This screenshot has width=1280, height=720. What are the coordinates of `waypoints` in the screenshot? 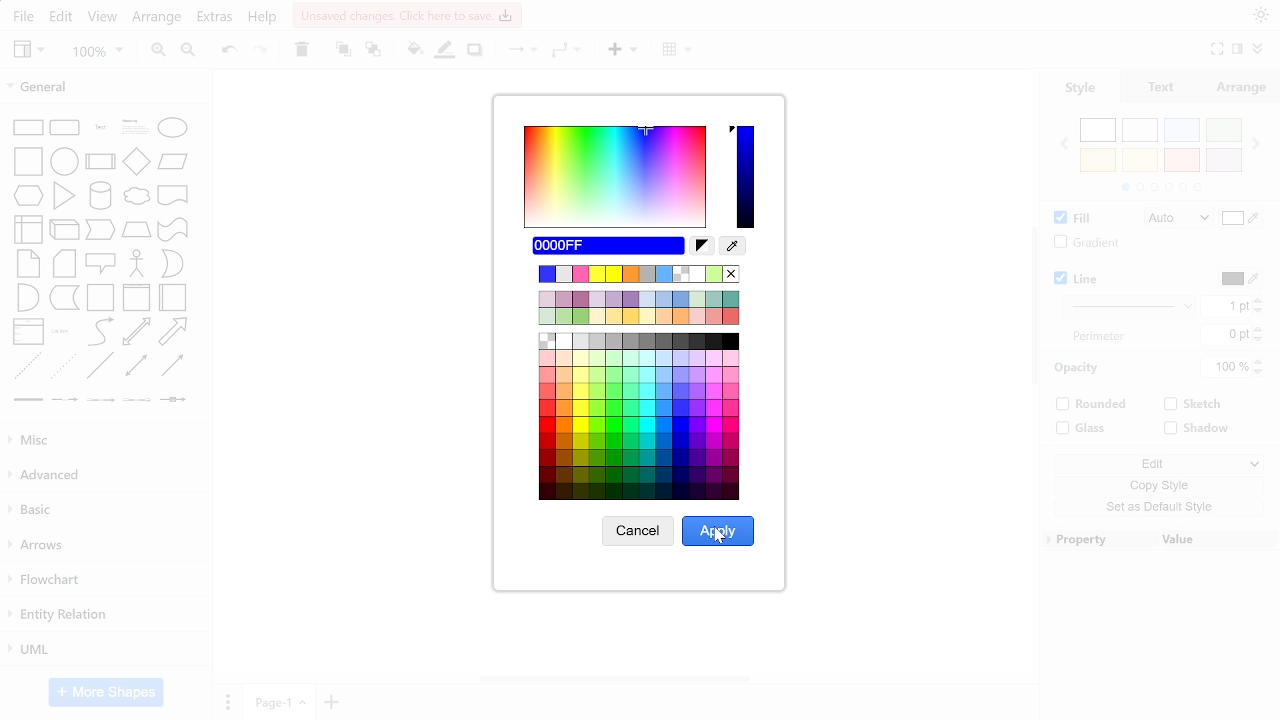 It's located at (568, 52).